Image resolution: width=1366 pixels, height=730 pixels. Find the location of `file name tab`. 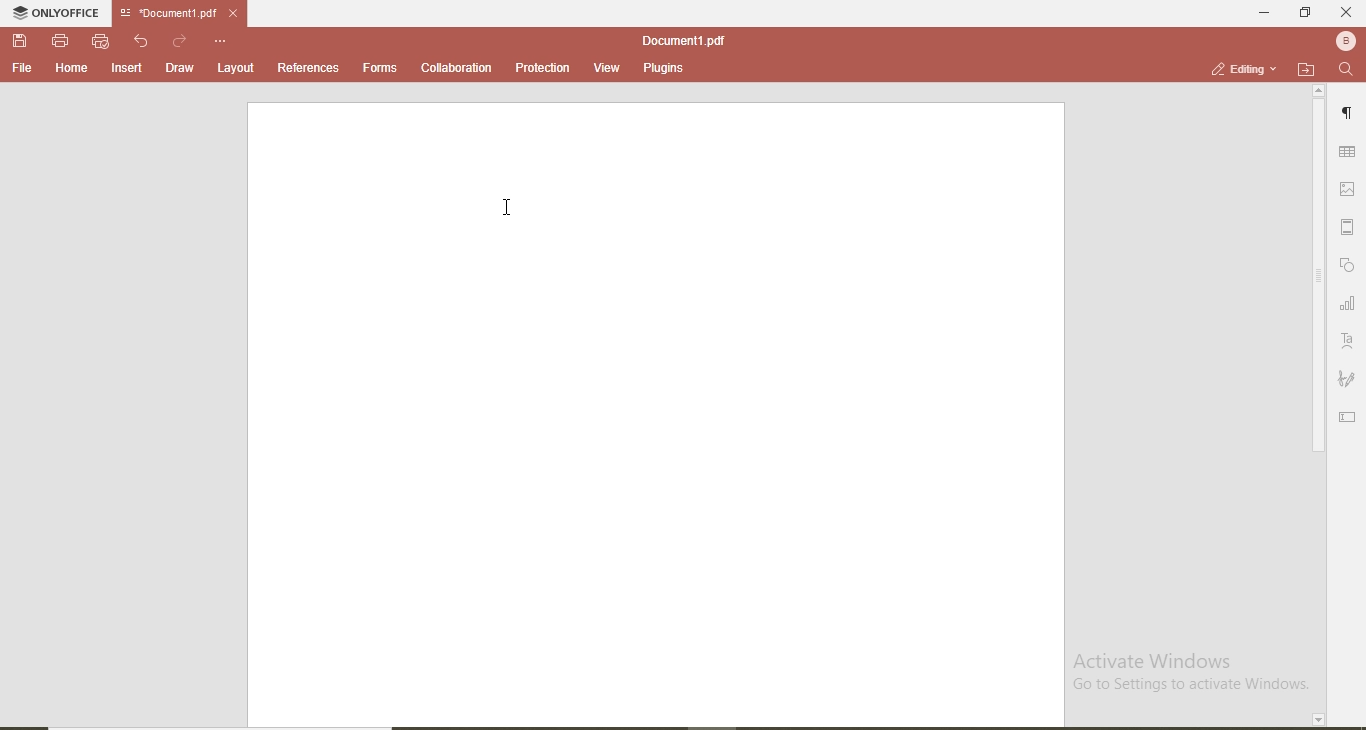

file name tab is located at coordinates (168, 11).